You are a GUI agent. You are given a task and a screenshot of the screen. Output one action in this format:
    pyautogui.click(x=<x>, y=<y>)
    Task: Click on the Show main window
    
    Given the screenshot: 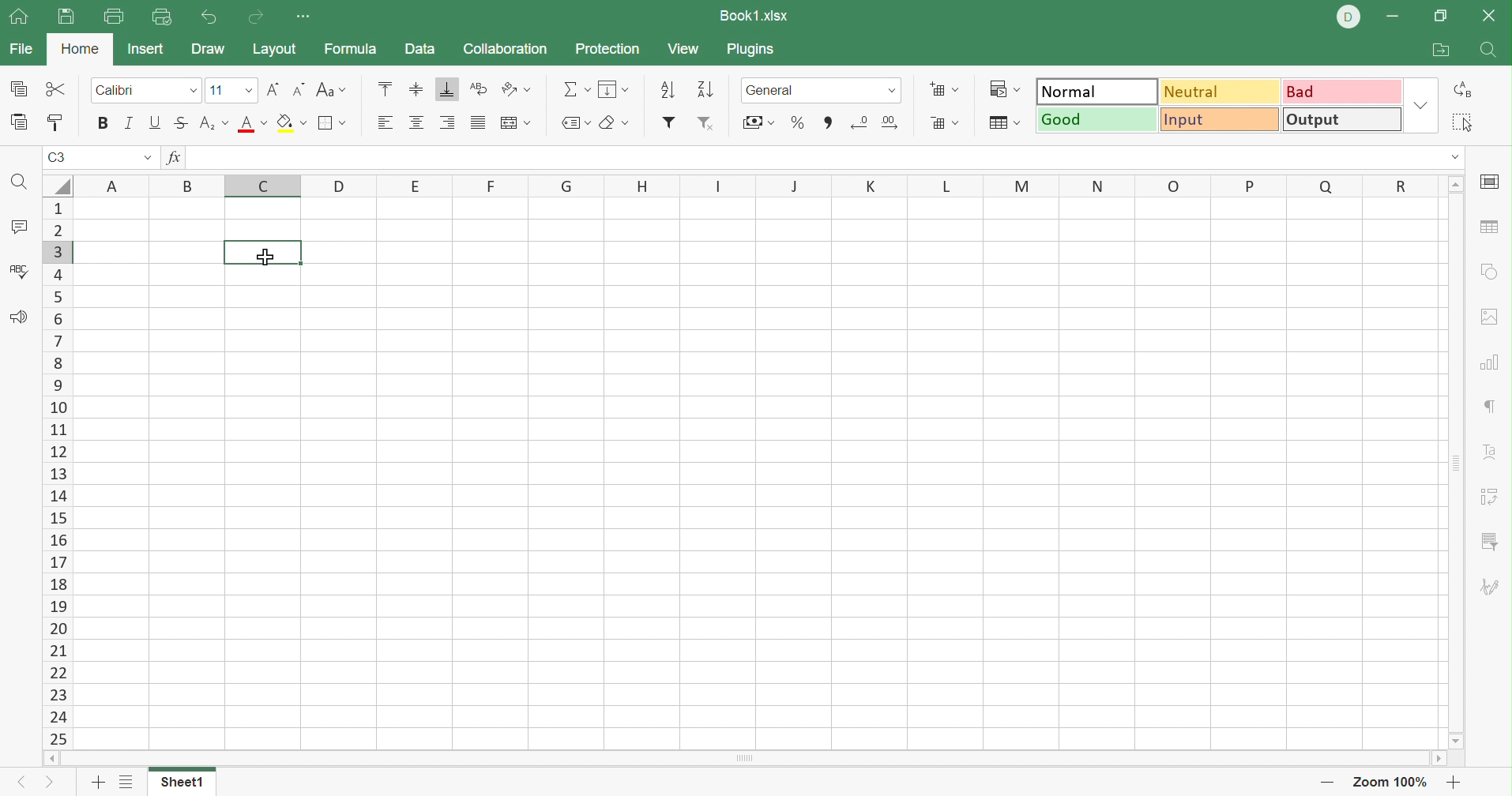 What is the action you would take?
    pyautogui.click(x=18, y=15)
    